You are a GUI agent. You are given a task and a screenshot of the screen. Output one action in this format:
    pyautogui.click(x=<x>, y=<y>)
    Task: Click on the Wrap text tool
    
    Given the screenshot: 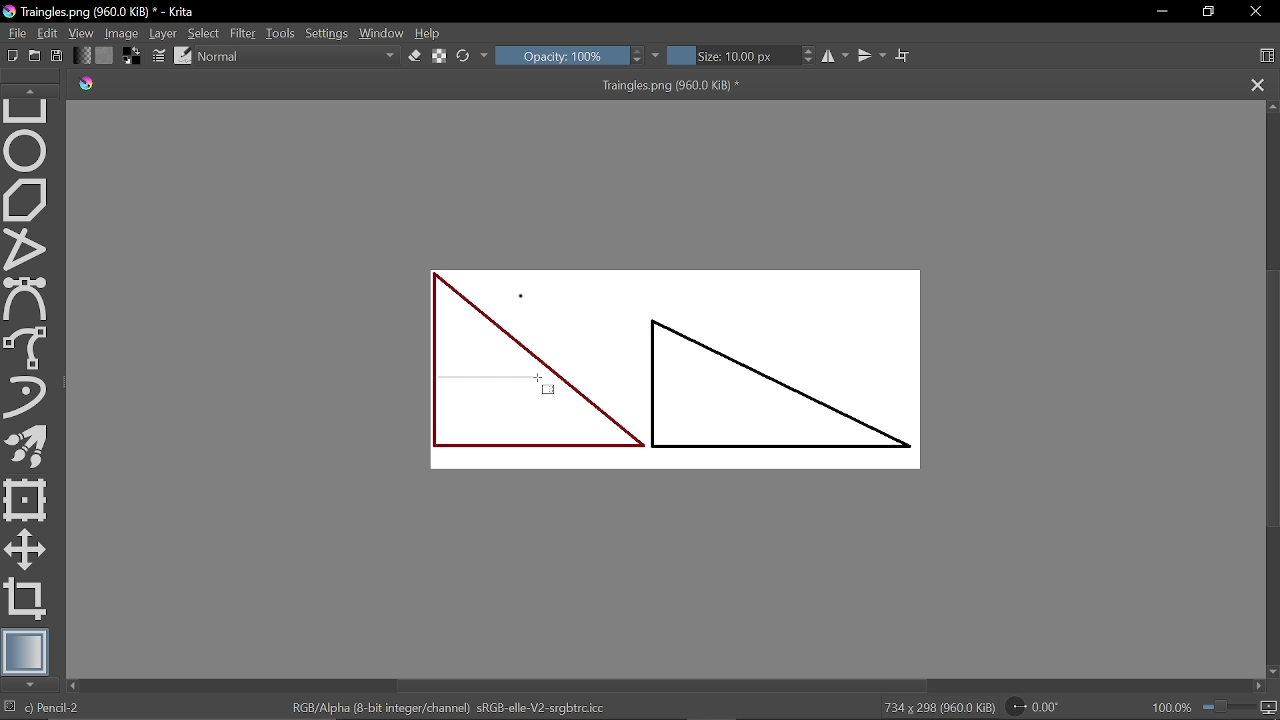 What is the action you would take?
    pyautogui.click(x=904, y=56)
    